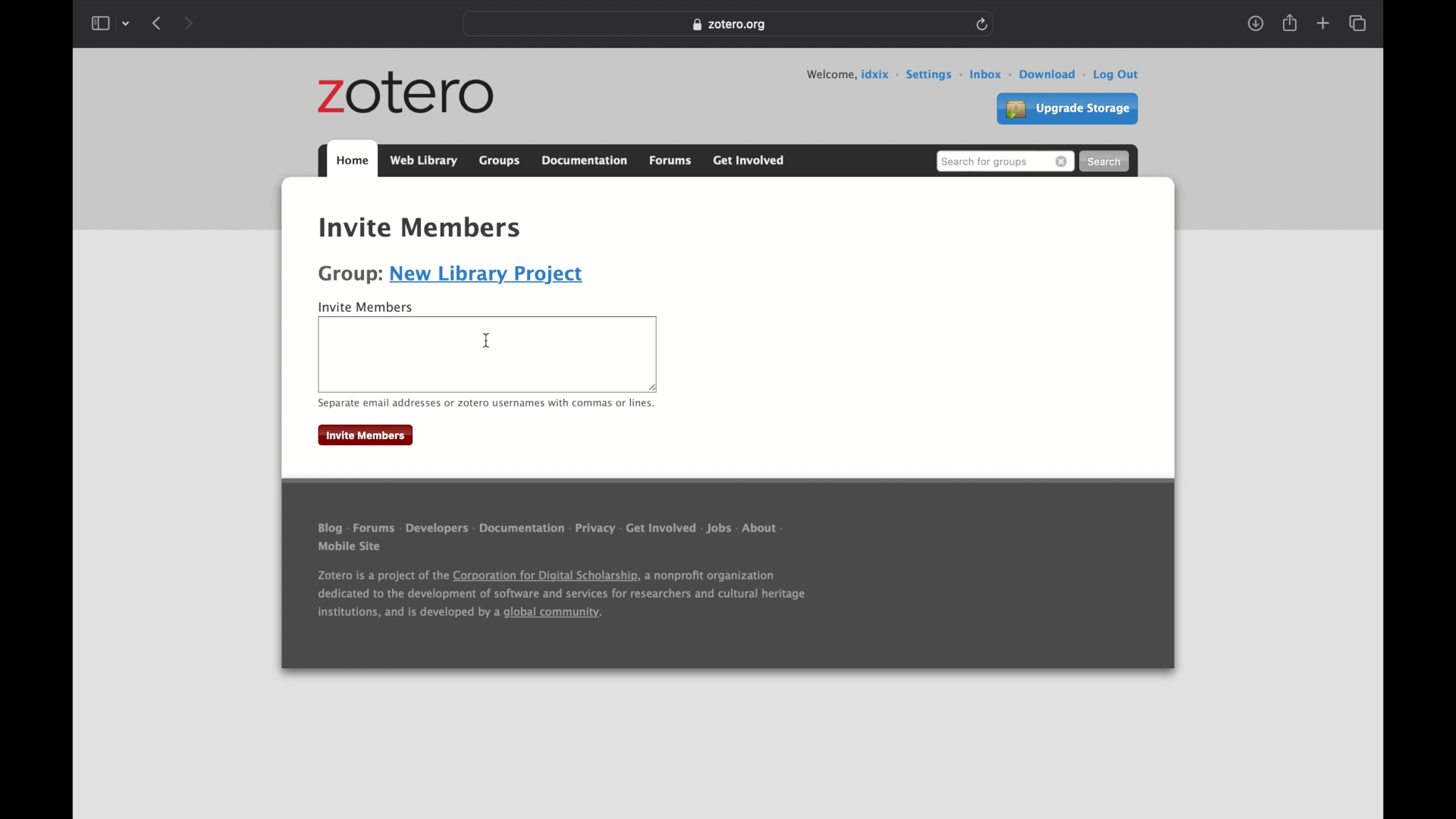  Describe the element at coordinates (350, 274) in the screenshot. I see `Group:` at that location.